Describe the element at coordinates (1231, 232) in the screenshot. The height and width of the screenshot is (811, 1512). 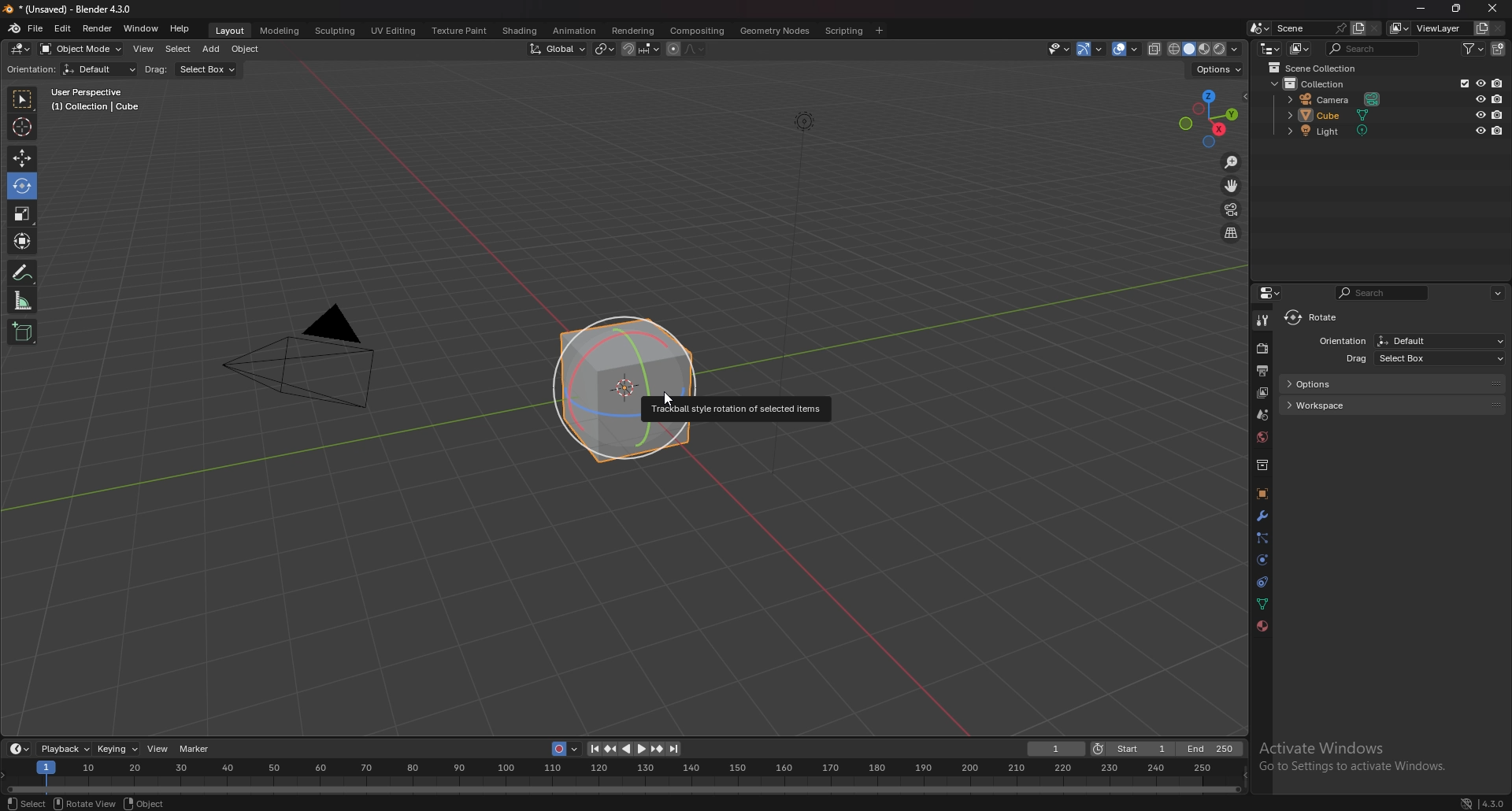
I see `perspective/orthographic` at that location.